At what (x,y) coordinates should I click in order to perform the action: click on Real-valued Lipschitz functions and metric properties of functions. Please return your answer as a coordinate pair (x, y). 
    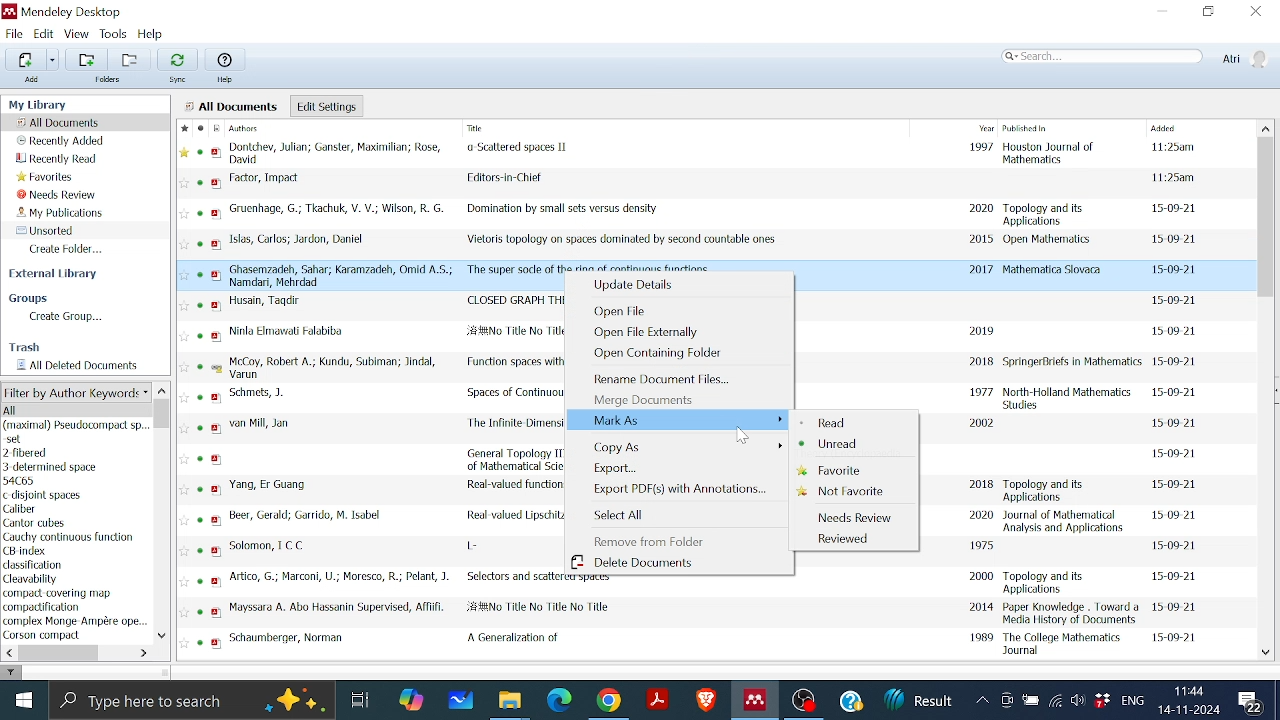
    Looking at the image, I should click on (370, 519).